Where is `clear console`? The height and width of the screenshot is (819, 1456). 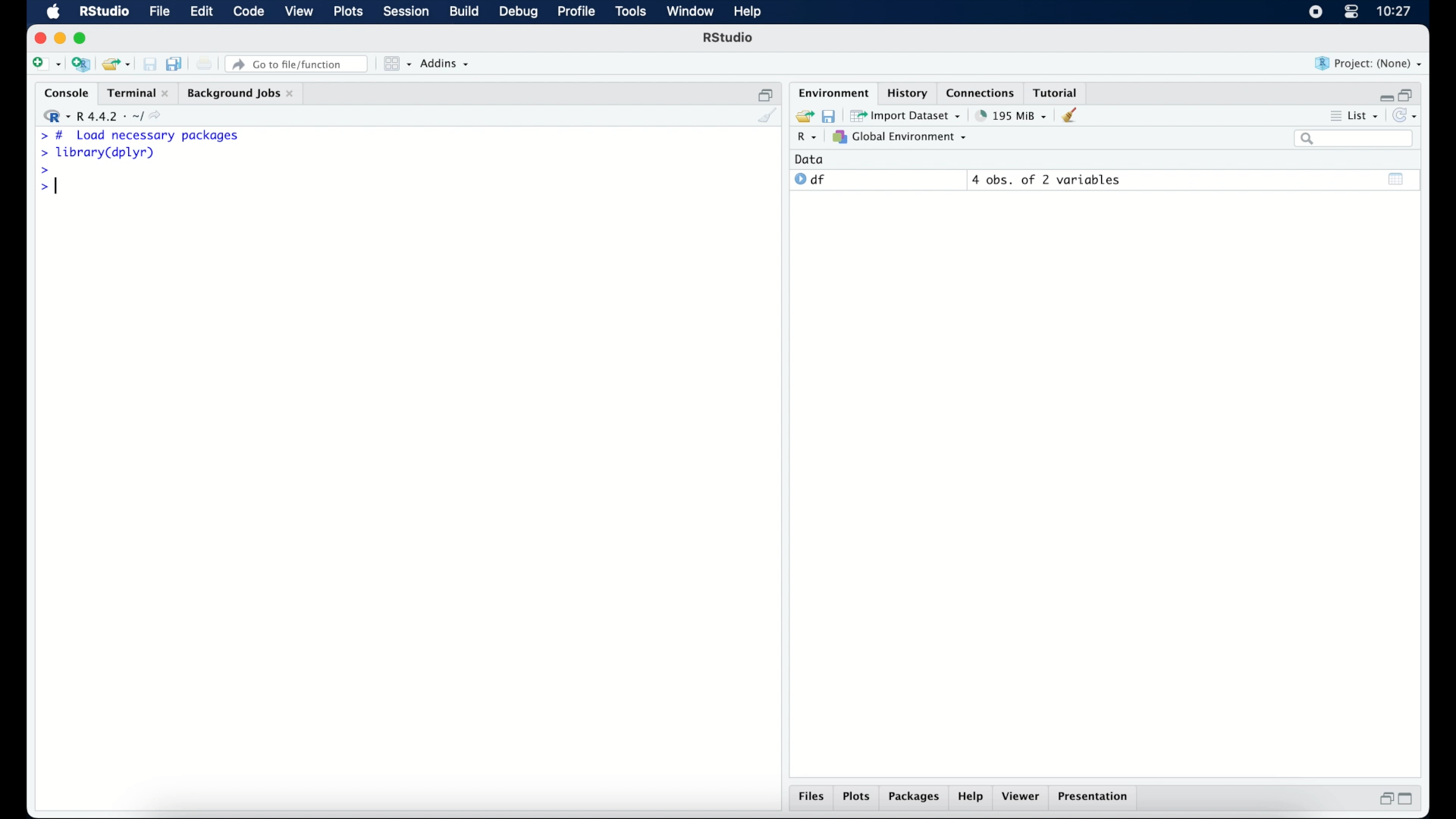
clear console is located at coordinates (766, 117).